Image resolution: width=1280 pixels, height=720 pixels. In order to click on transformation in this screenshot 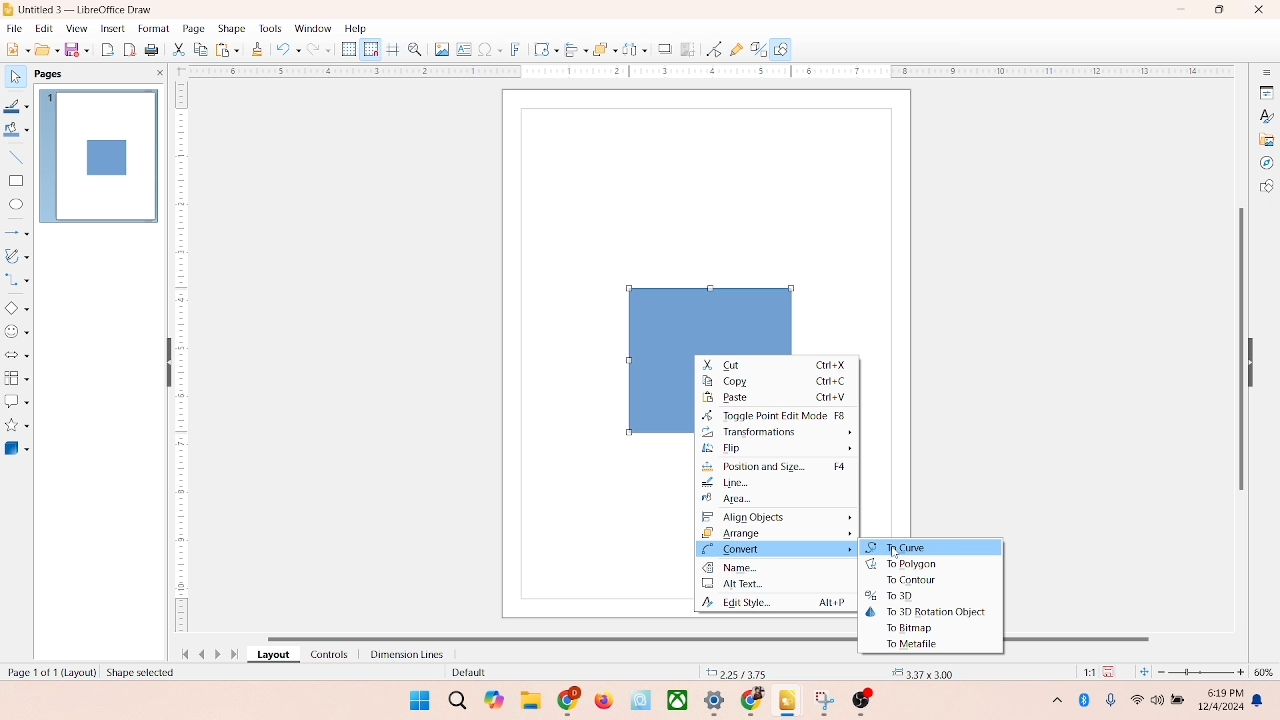, I will do `click(541, 49)`.